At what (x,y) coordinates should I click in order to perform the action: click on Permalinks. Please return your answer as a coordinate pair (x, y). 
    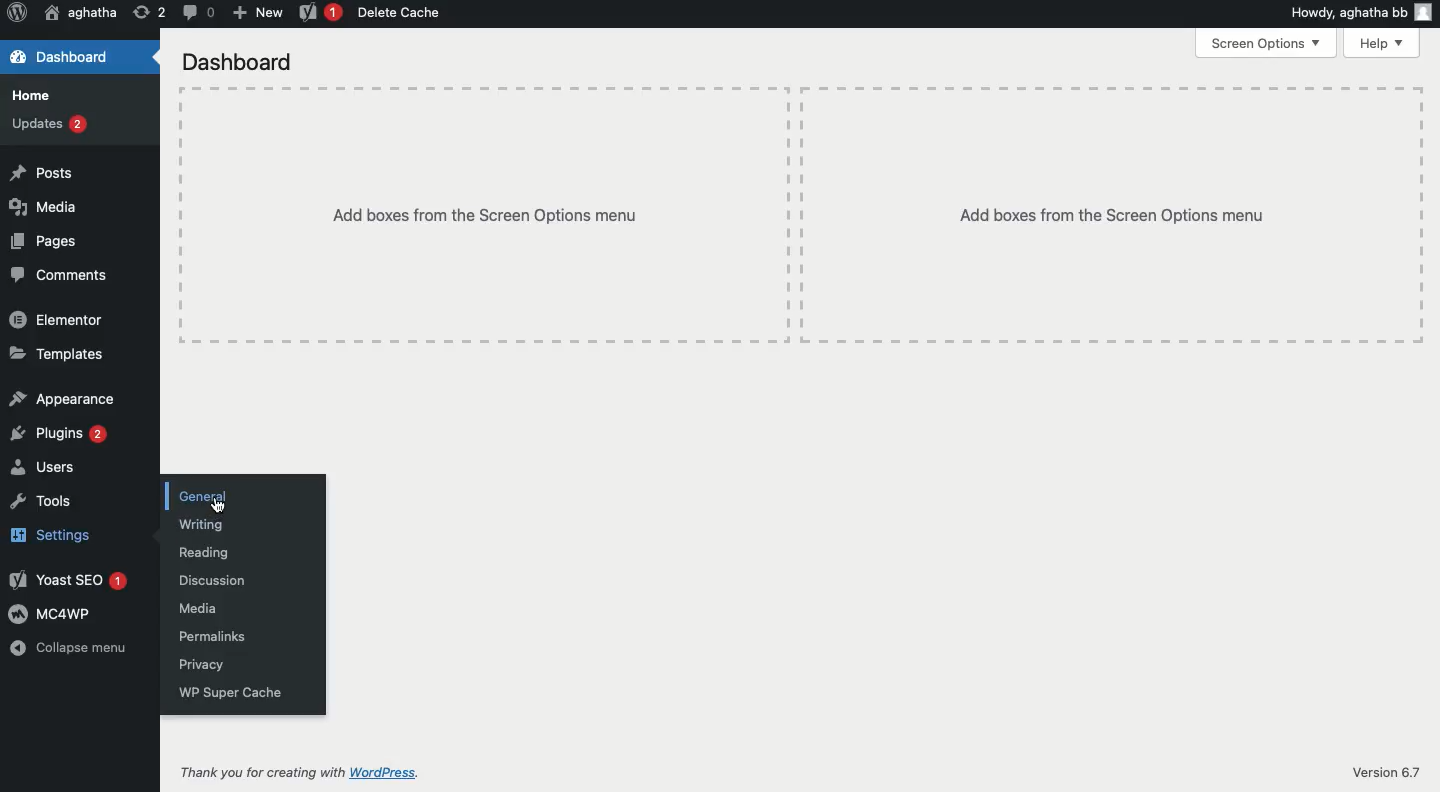
    Looking at the image, I should click on (208, 638).